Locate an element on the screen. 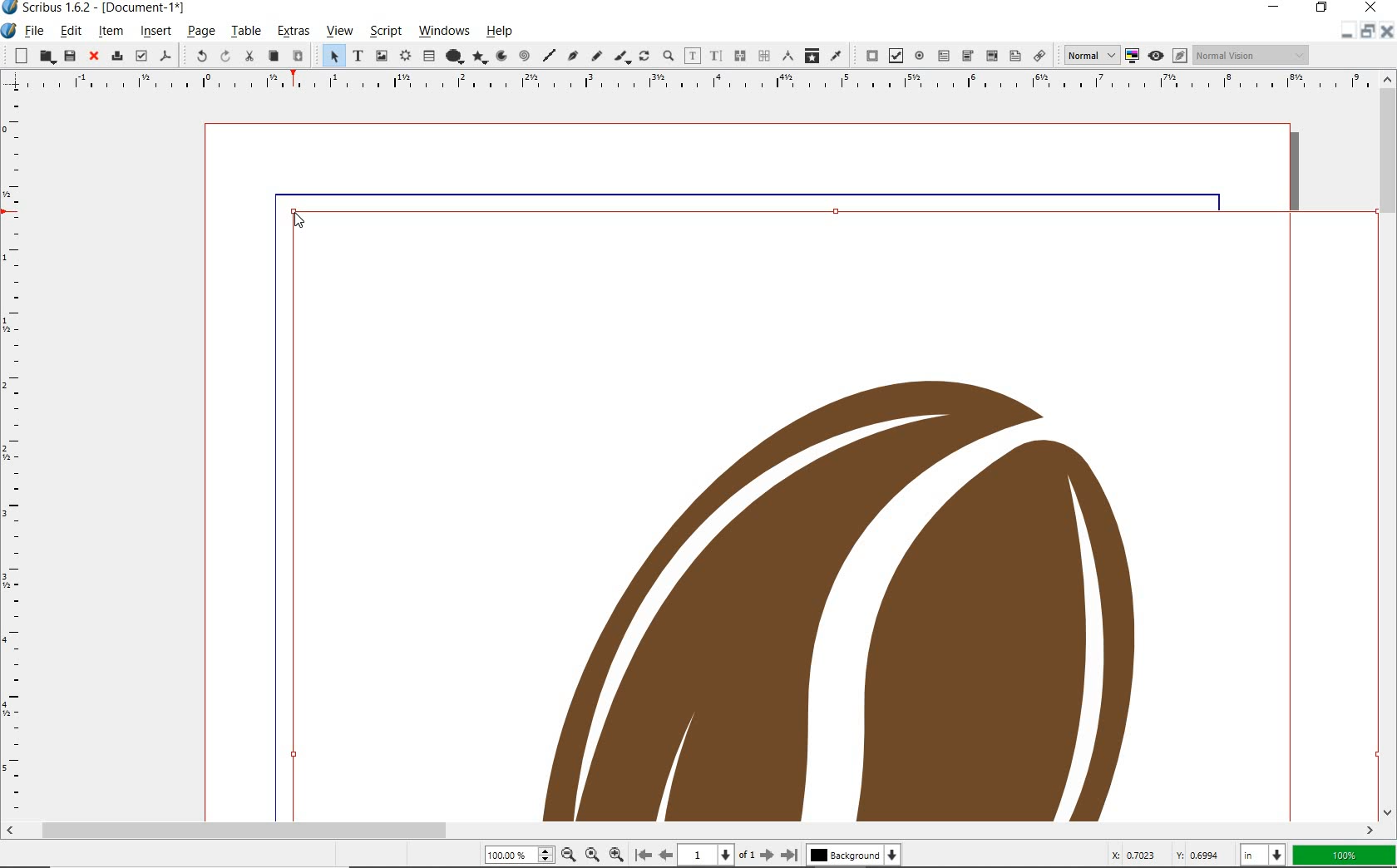 The height and width of the screenshot is (868, 1397). Minimize is located at coordinates (1367, 31).